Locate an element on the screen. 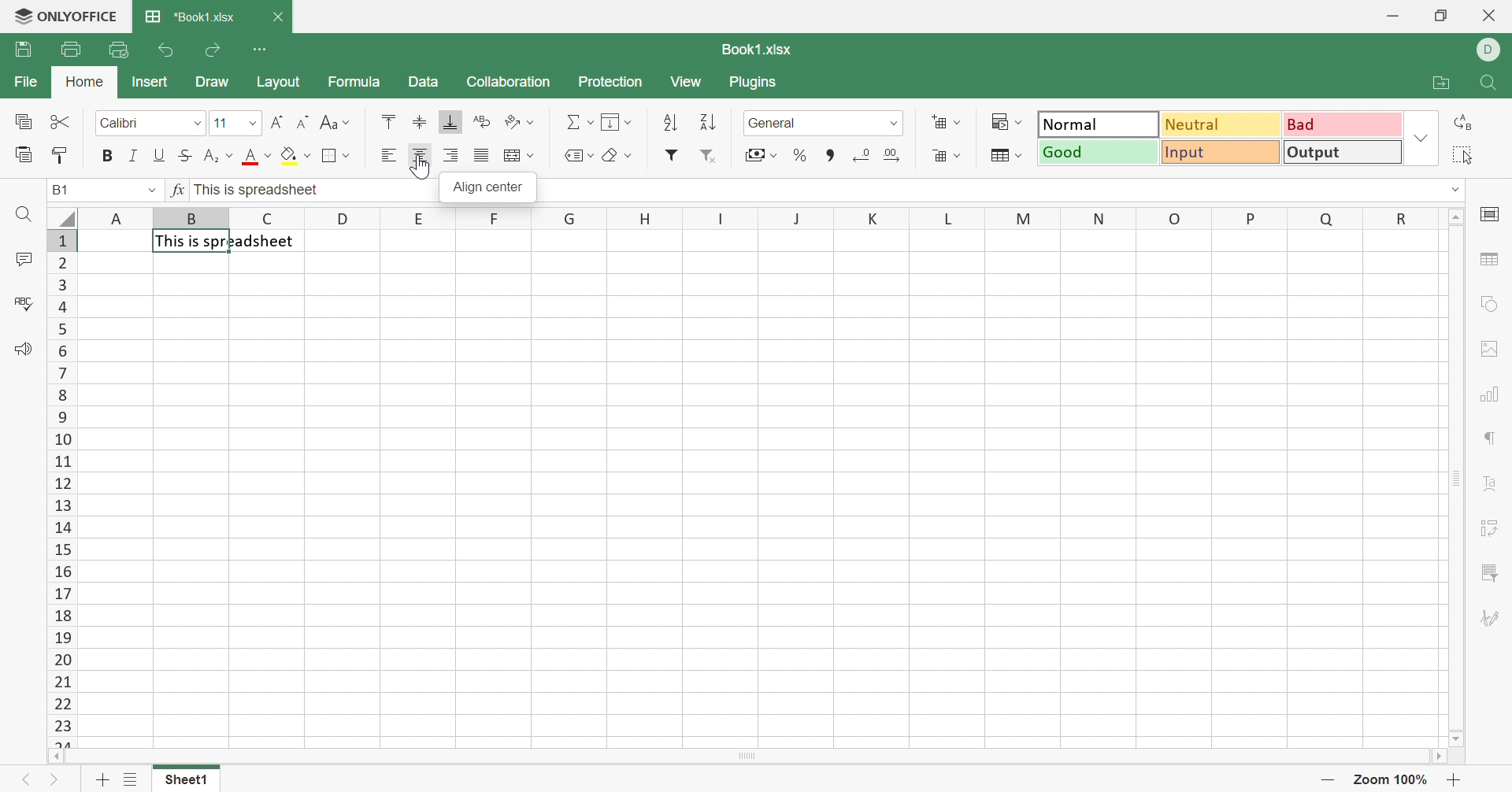  fx is located at coordinates (180, 189).